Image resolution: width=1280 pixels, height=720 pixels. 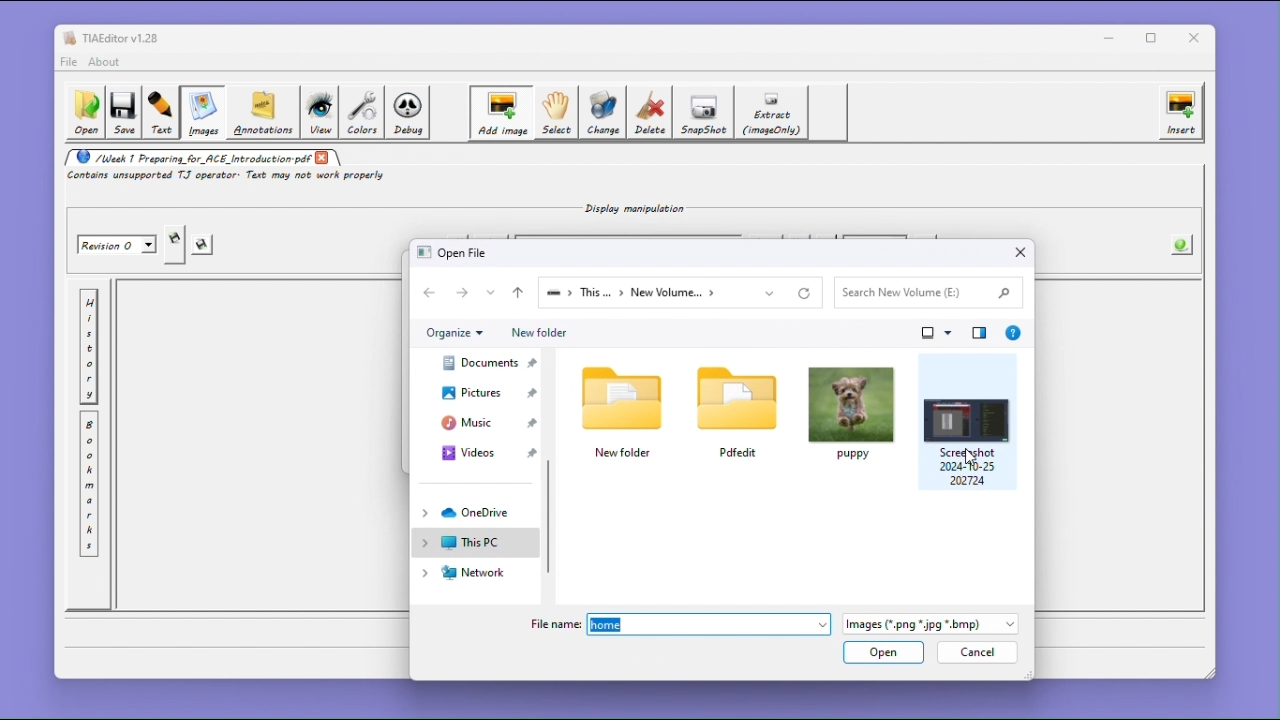 What do you see at coordinates (625, 410) in the screenshot?
I see `new folder` at bounding box center [625, 410].